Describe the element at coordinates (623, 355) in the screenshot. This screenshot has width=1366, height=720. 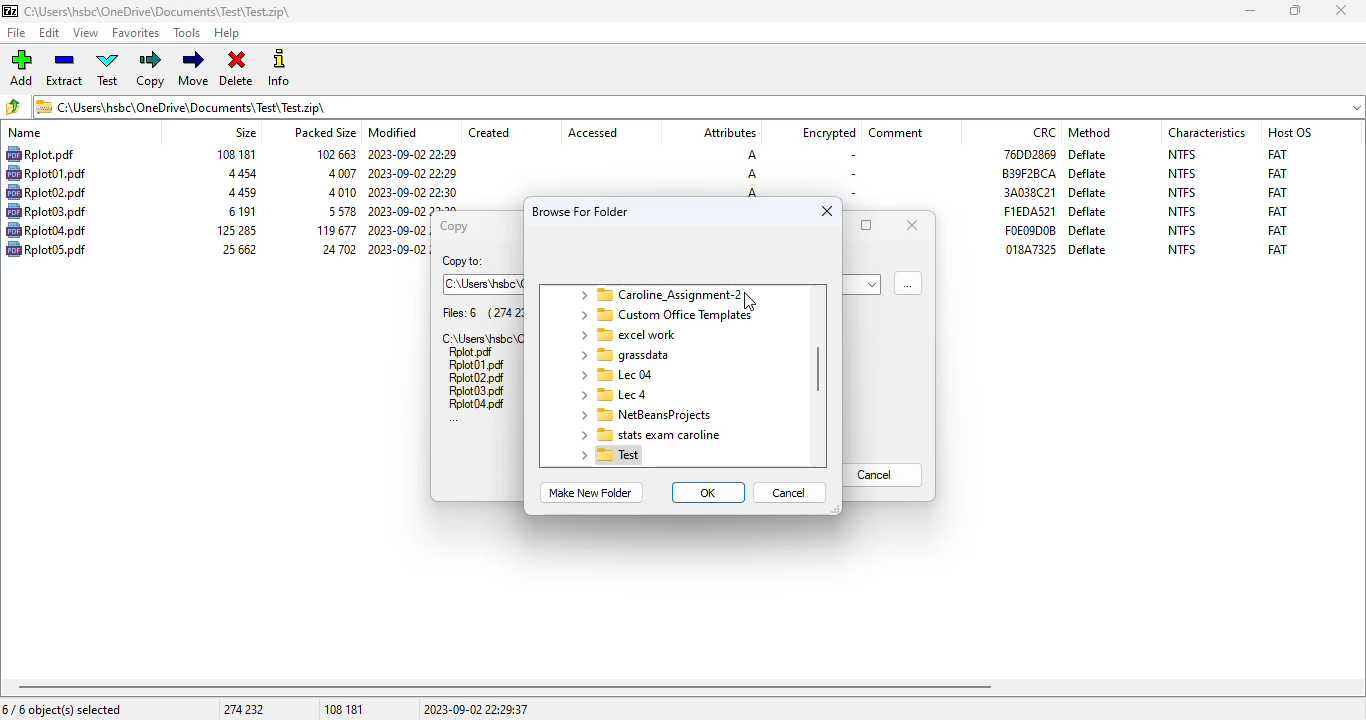
I see `folder name` at that location.